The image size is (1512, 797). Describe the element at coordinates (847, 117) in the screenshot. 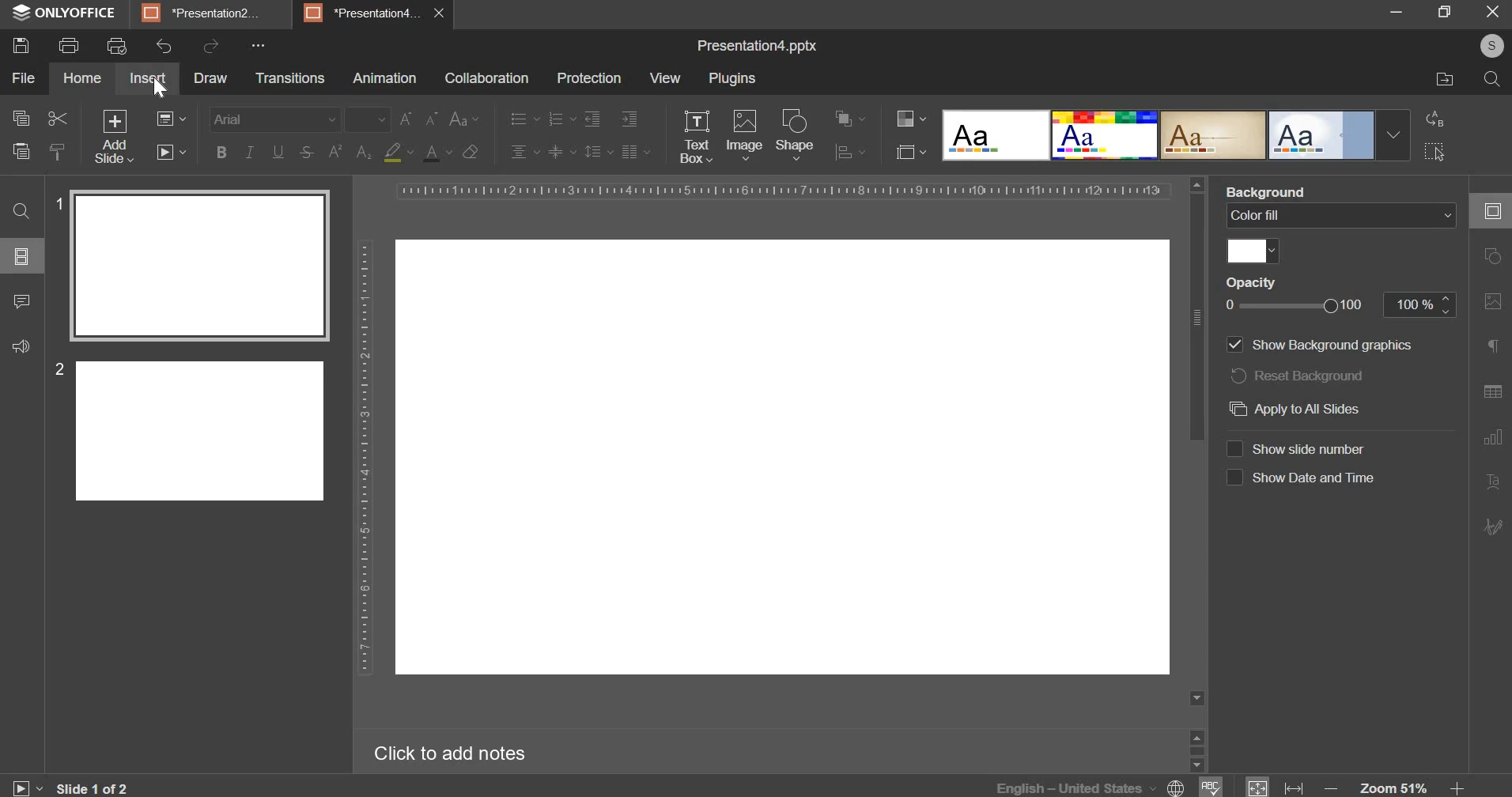

I see `options` at that location.